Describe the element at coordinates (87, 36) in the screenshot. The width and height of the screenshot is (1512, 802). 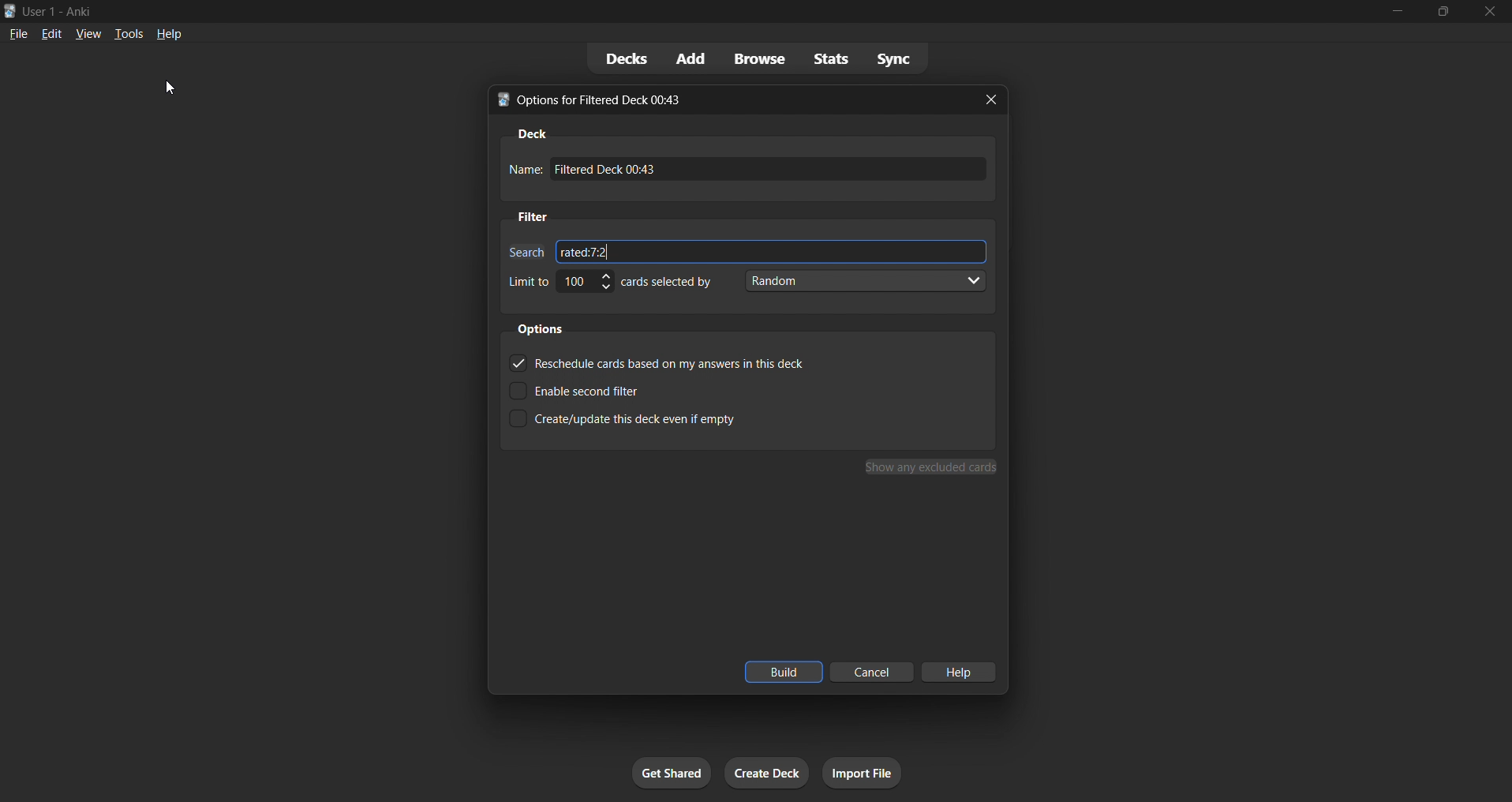
I see `view` at that location.